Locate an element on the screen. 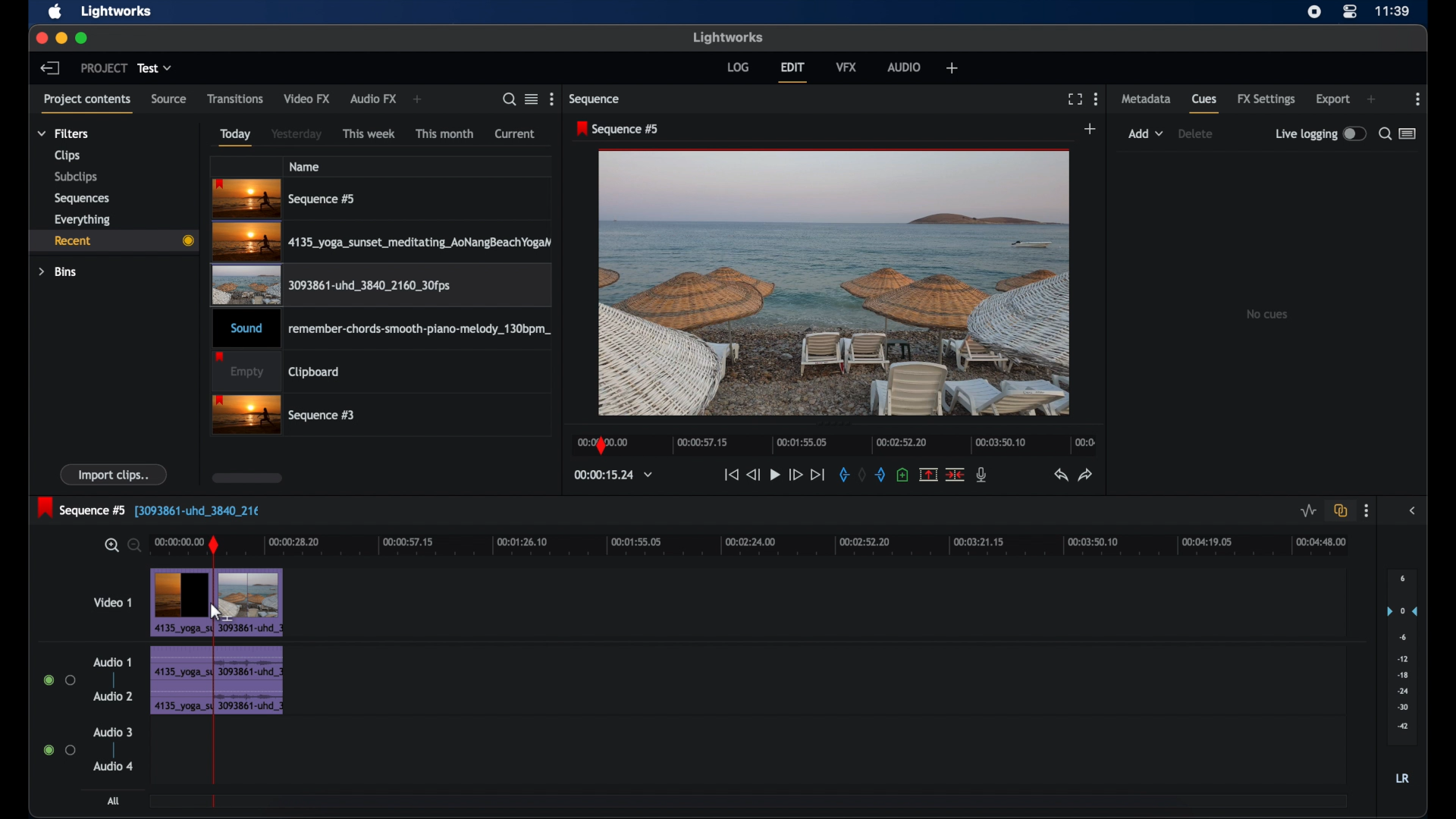 This screenshot has width=1456, height=819. project contents is located at coordinates (87, 104).